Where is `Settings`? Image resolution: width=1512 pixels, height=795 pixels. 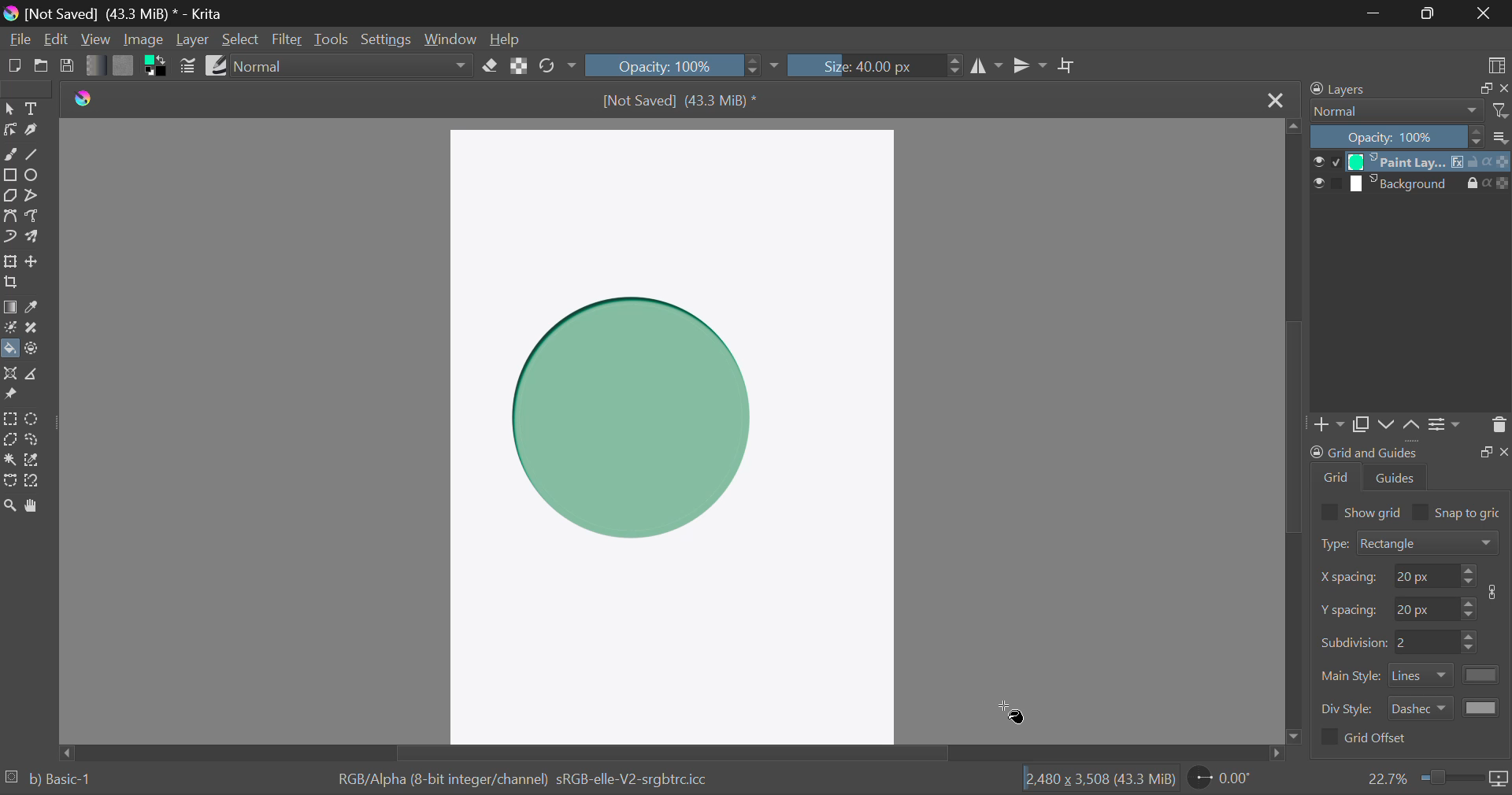 Settings is located at coordinates (384, 39).